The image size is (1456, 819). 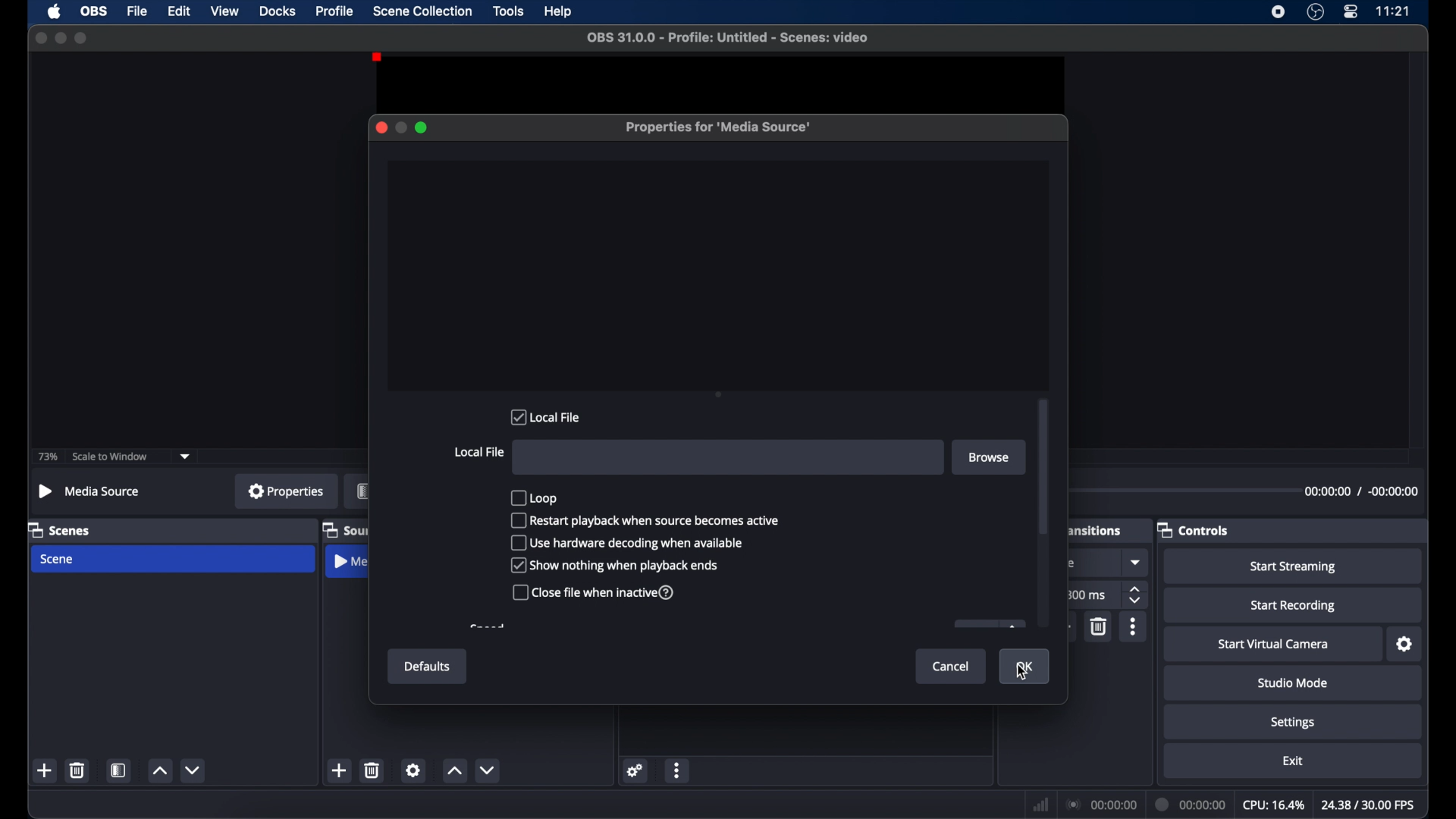 I want to click on add, so click(x=45, y=770).